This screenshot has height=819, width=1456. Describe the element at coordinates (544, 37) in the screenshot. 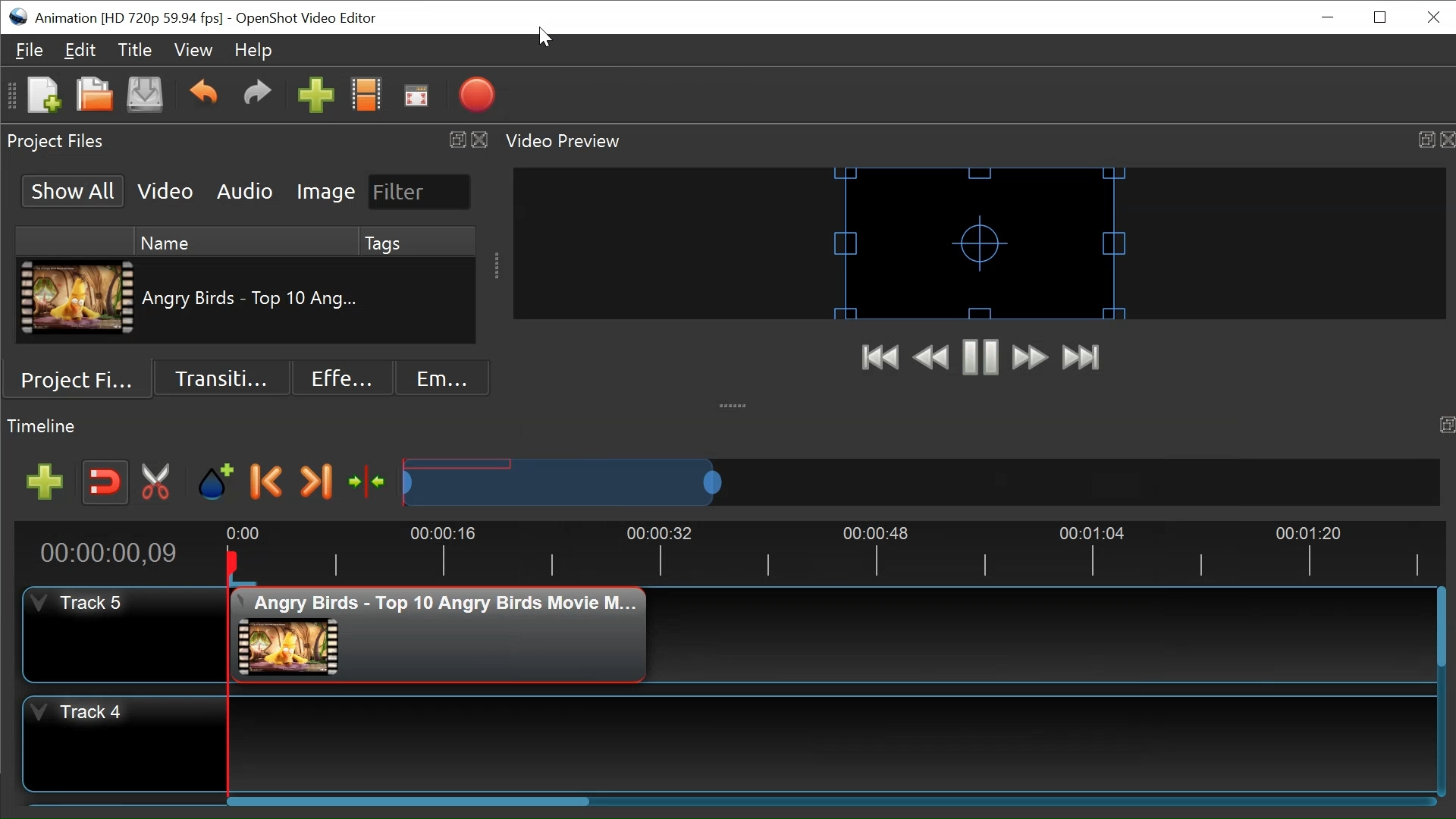

I see `Cursor` at that location.